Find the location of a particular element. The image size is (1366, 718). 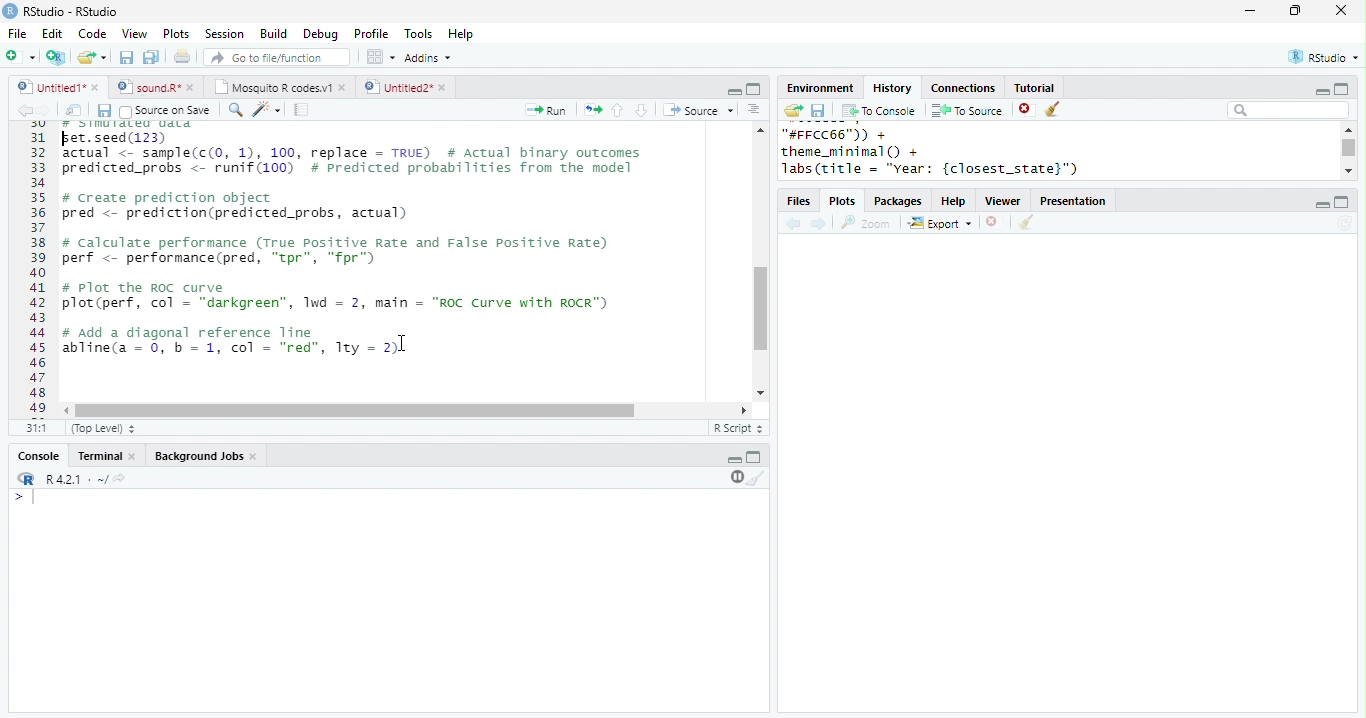

Mosquito R codes.v1 is located at coordinates (273, 87).